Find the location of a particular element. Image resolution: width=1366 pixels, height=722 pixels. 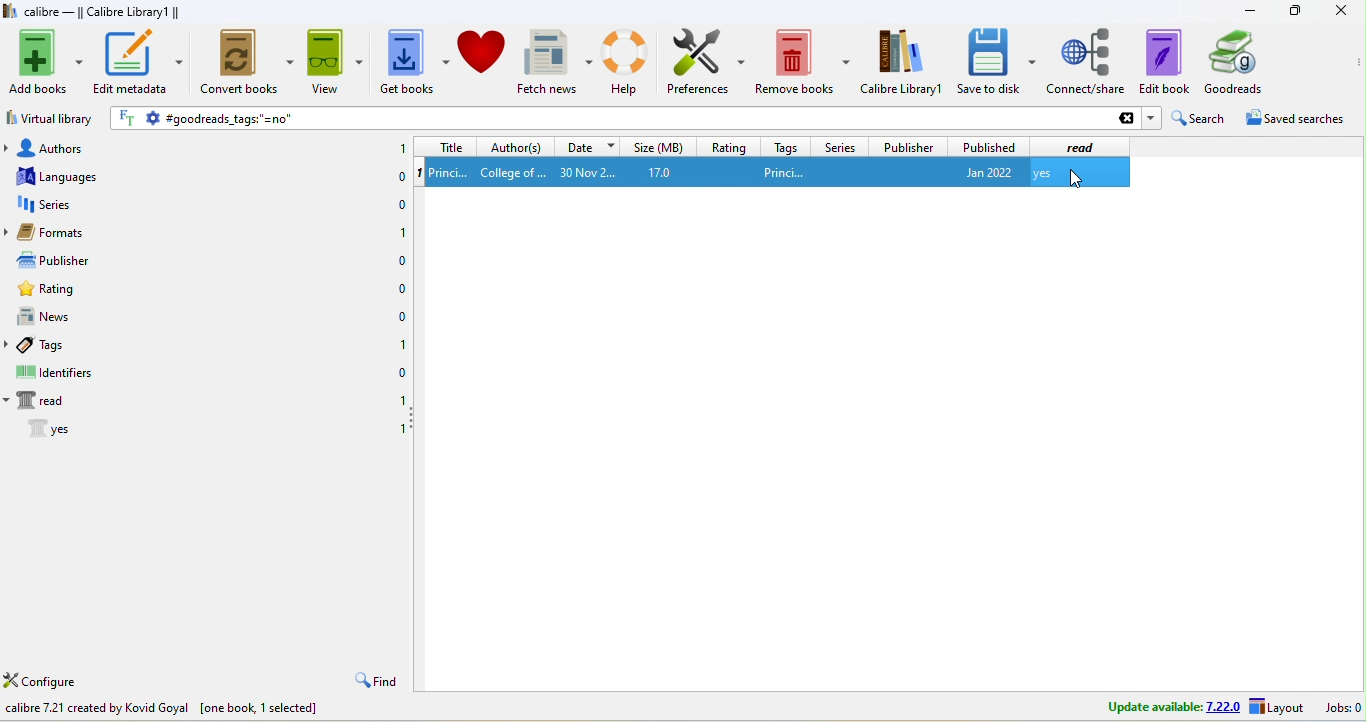

goodreads tags ''=no'' is located at coordinates (652, 118).